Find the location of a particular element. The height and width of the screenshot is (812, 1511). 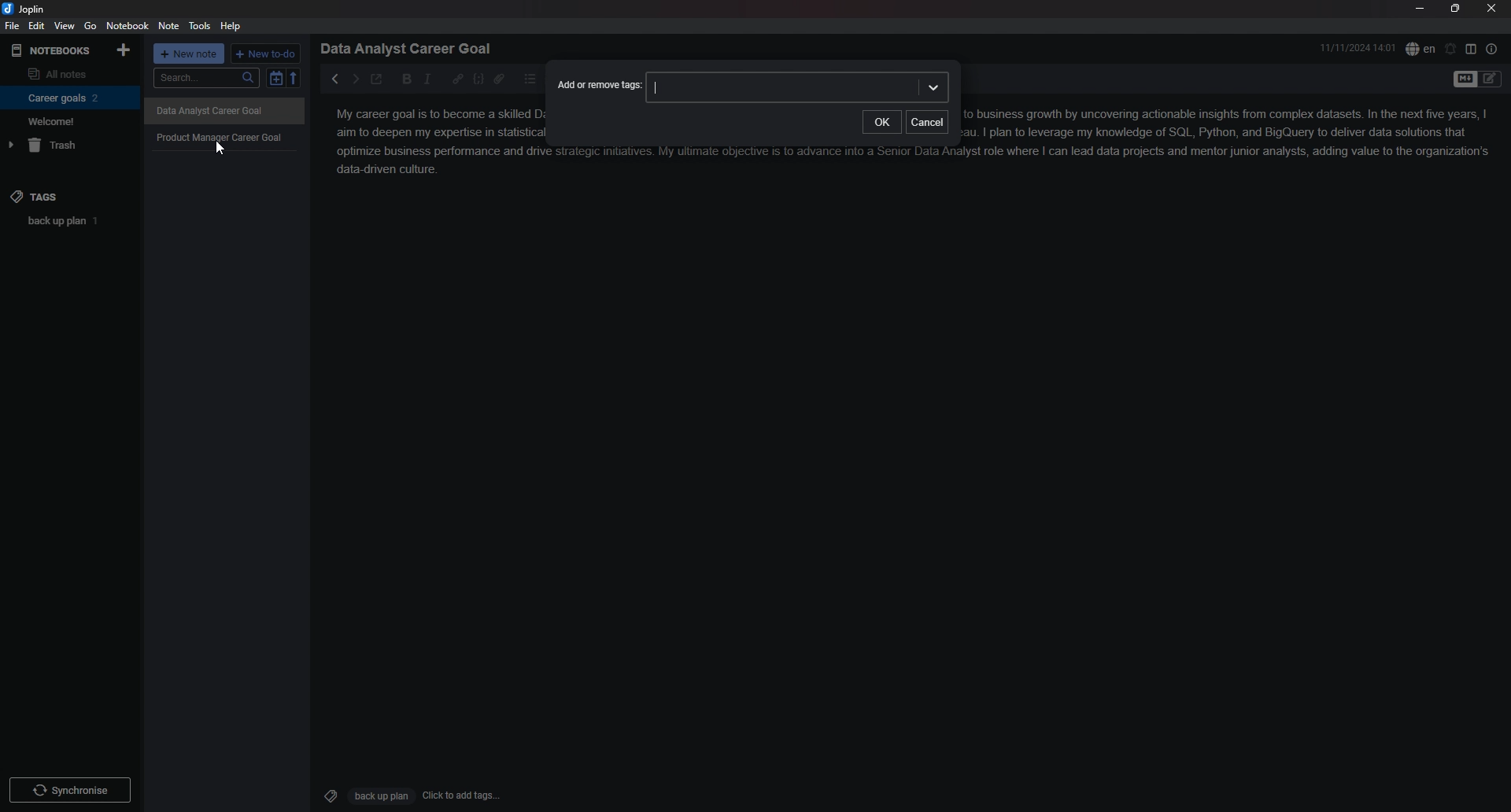

search... is located at coordinates (205, 78).